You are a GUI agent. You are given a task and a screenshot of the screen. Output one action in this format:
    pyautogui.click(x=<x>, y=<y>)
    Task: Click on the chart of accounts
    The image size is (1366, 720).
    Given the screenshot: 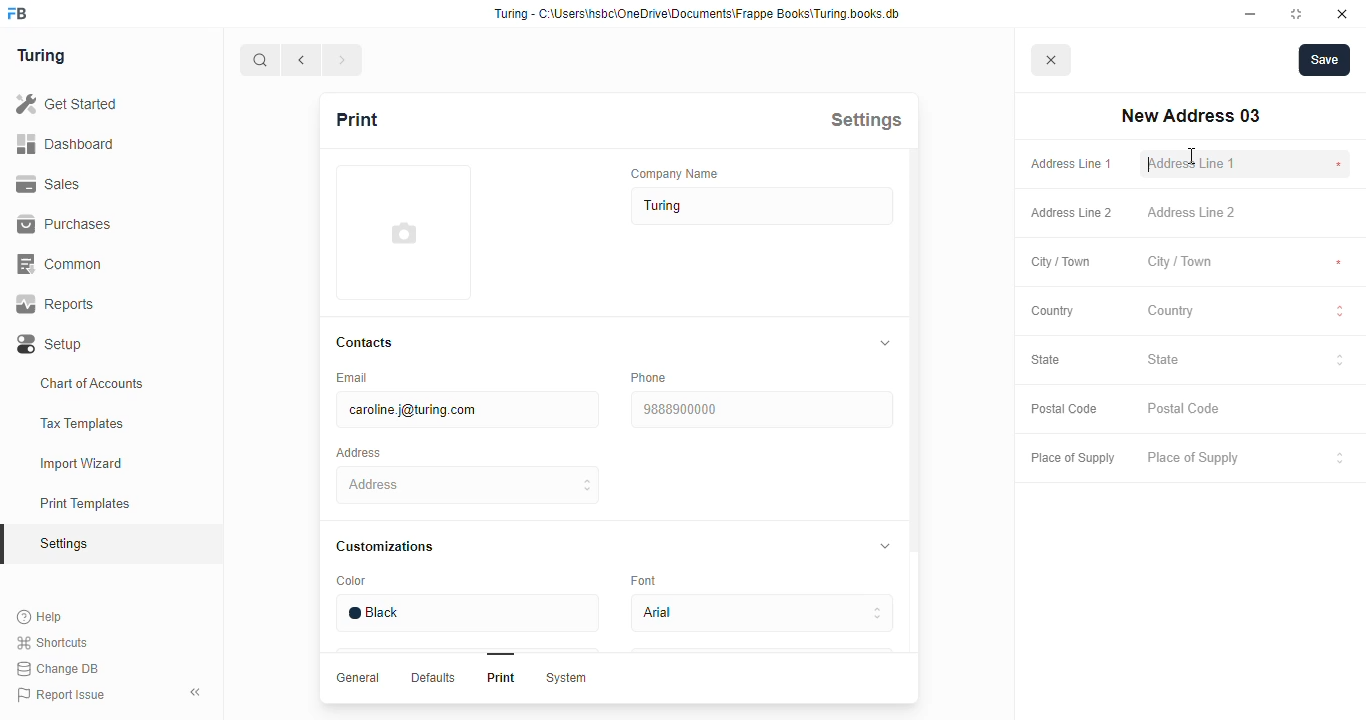 What is the action you would take?
    pyautogui.click(x=92, y=383)
    